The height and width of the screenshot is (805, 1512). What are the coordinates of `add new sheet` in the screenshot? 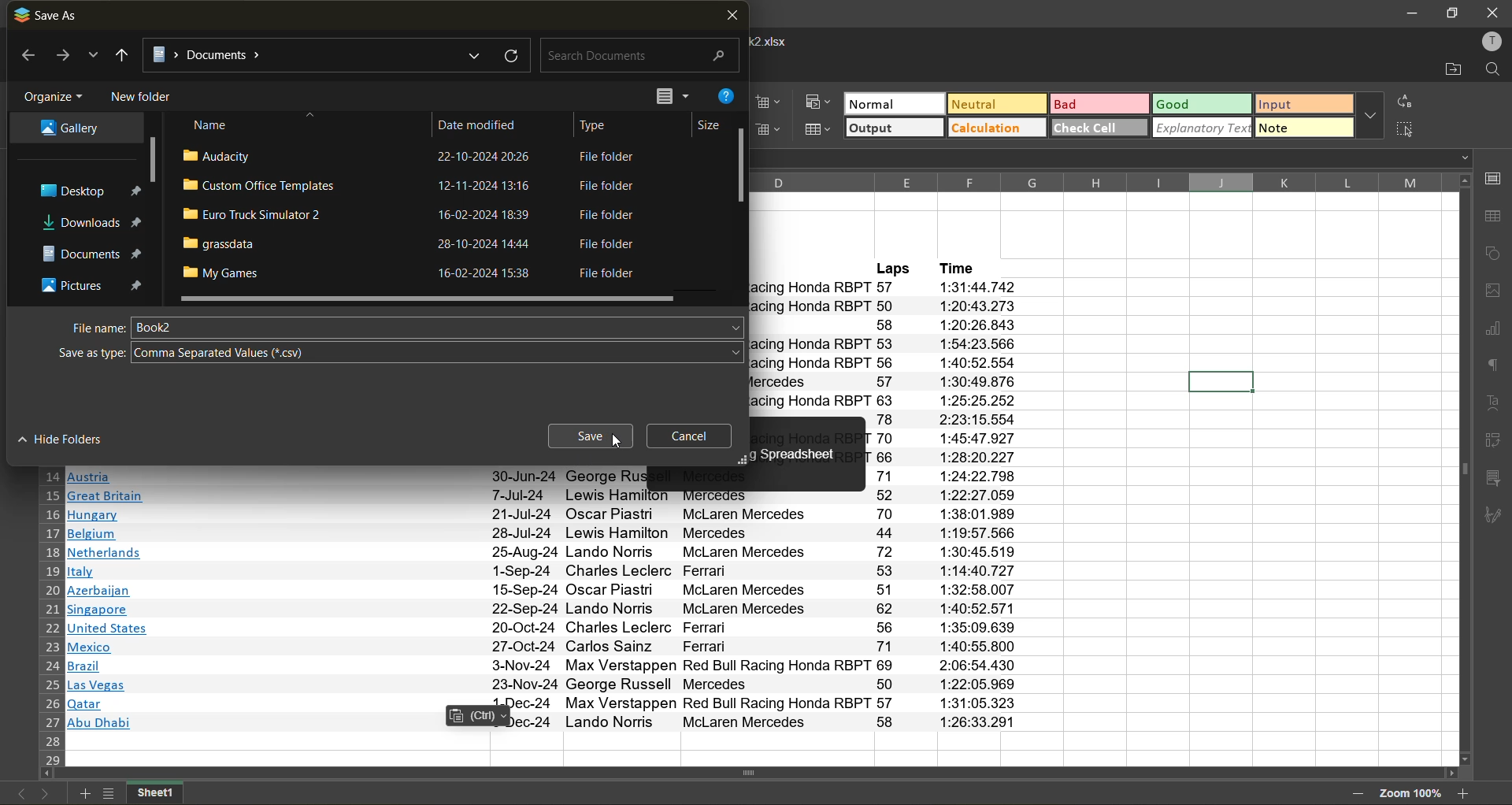 It's located at (84, 794).